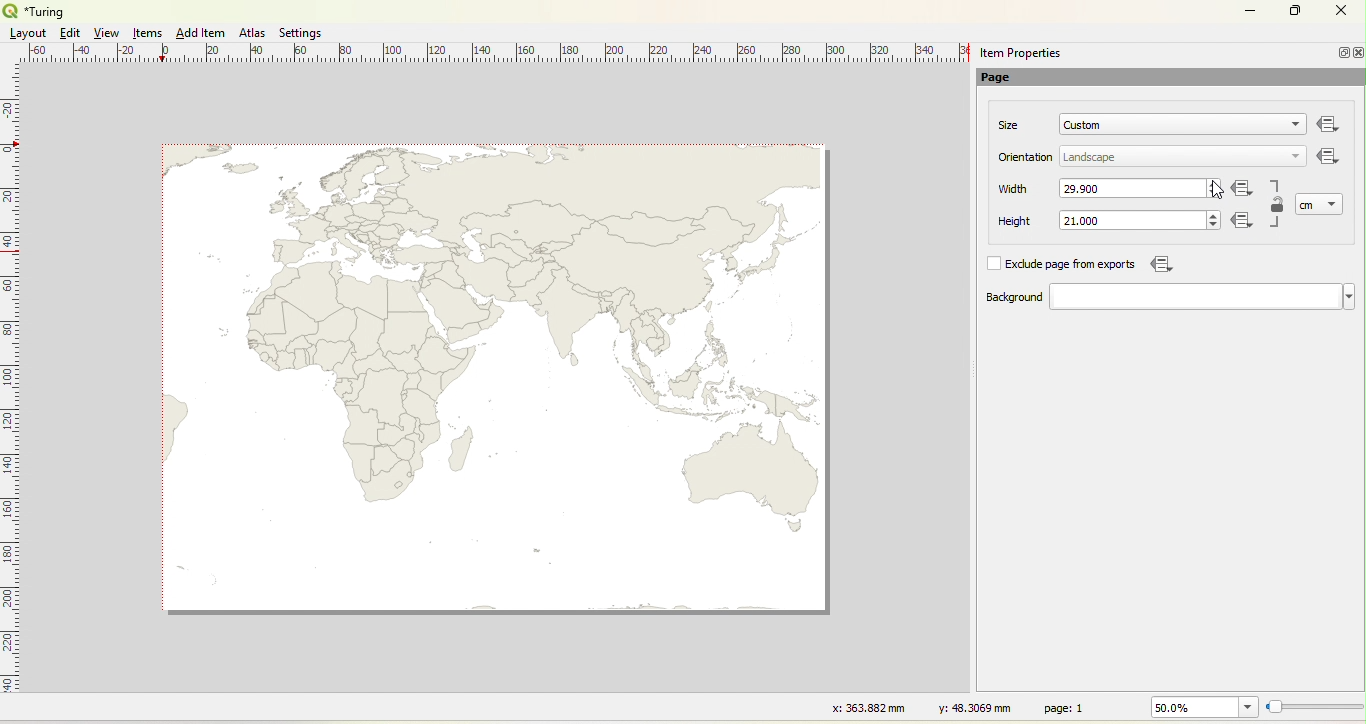 The height and width of the screenshot is (724, 1366). I want to click on Maximize, so click(1296, 12).